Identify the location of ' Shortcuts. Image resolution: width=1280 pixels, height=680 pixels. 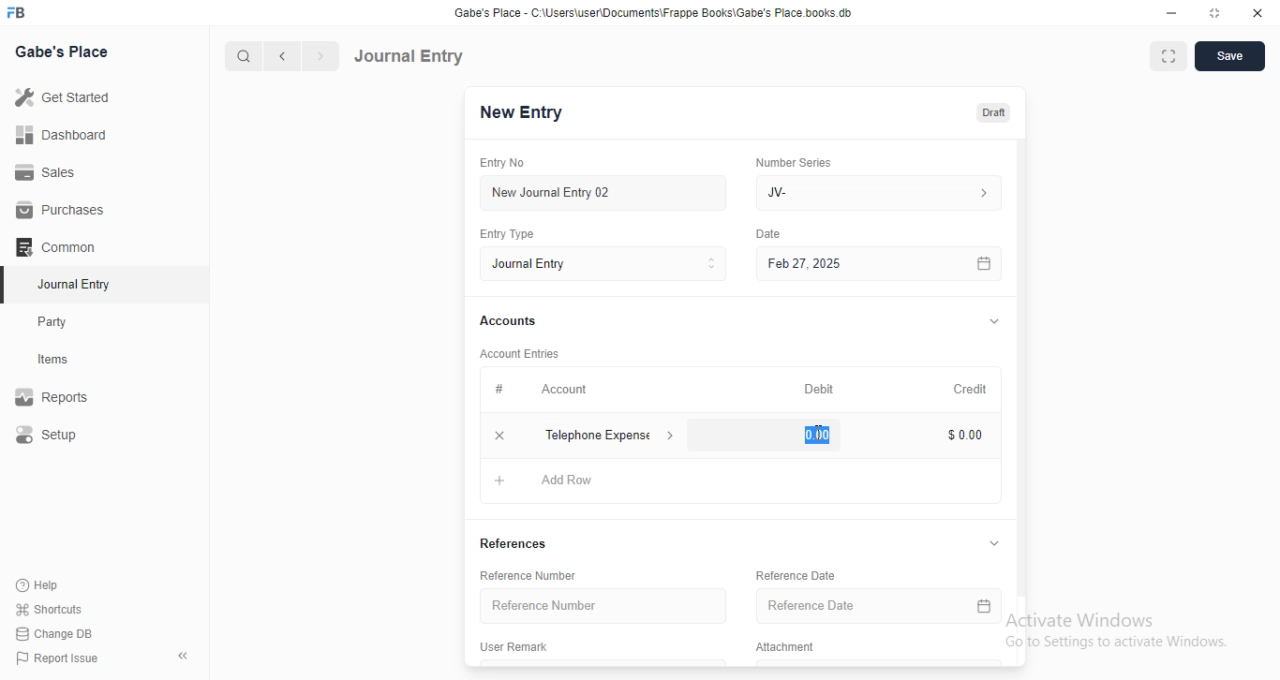
(50, 608).